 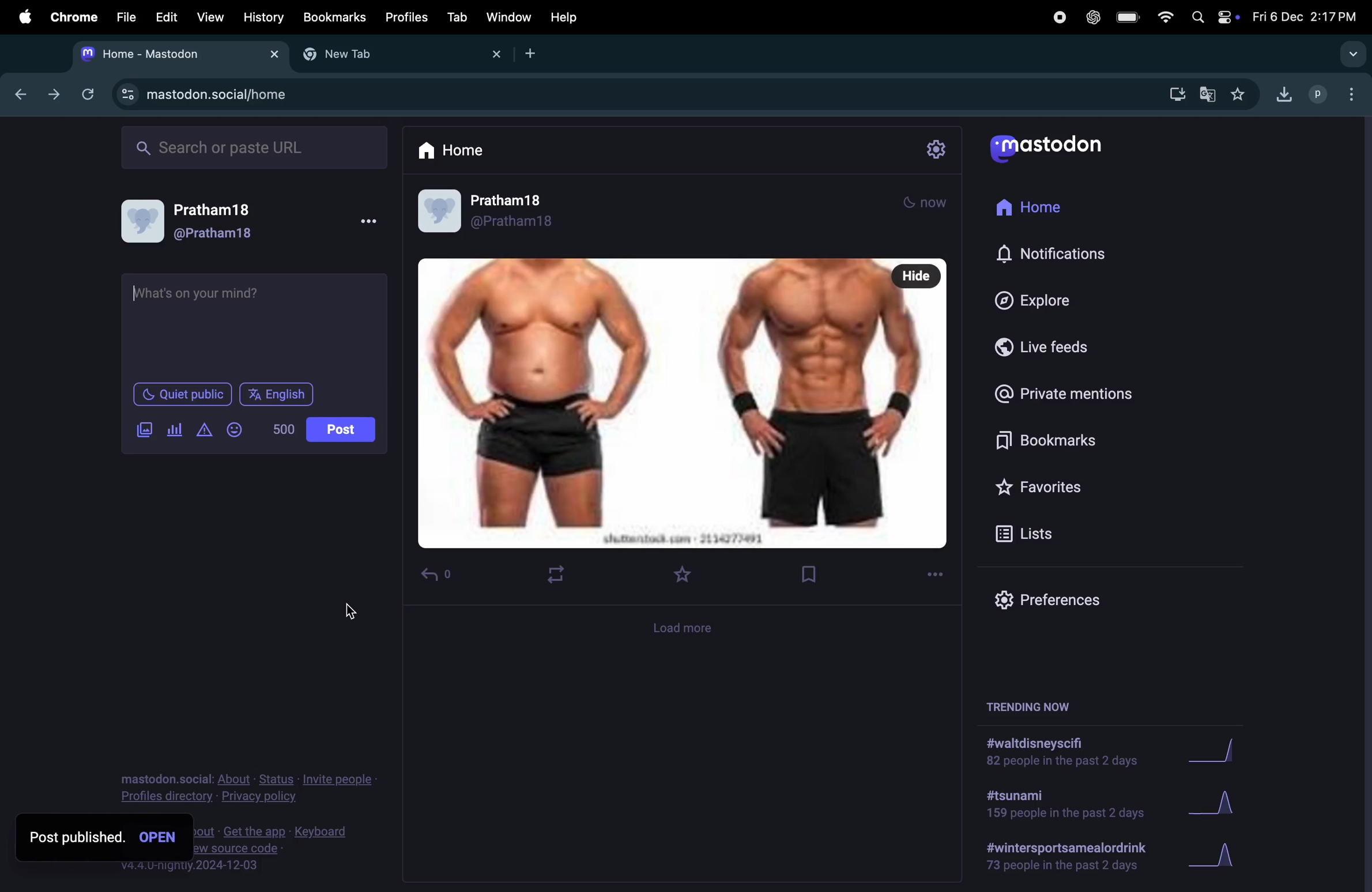 What do you see at coordinates (1060, 152) in the screenshot?
I see `mastodon app` at bounding box center [1060, 152].